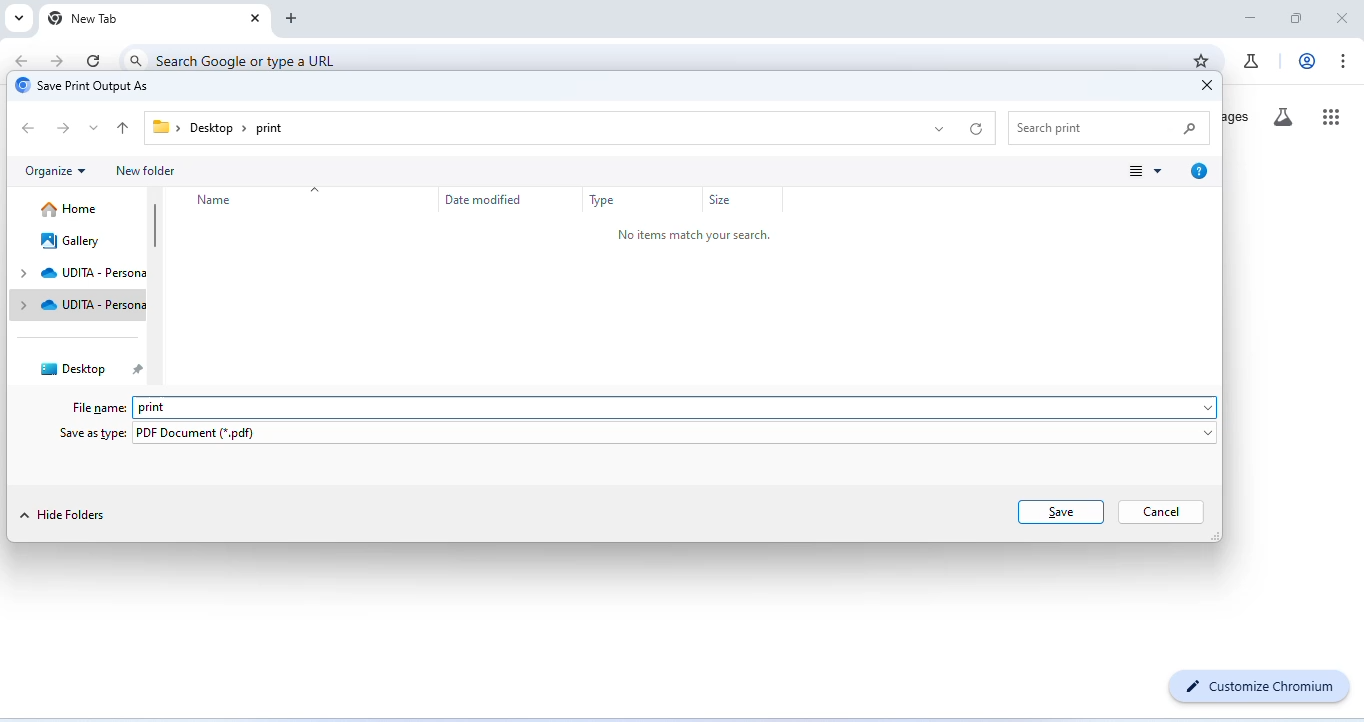  Describe the element at coordinates (1341, 16) in the screenshot. I see `close` at that location.